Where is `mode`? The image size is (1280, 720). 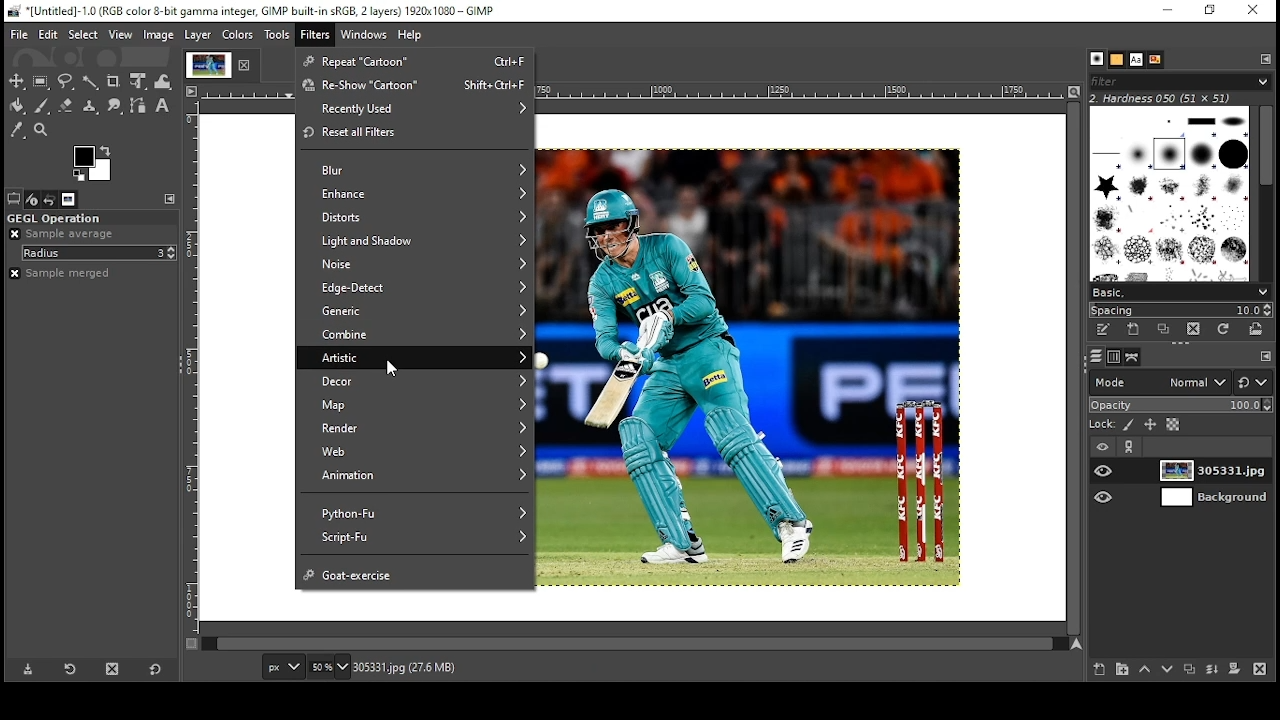 mode is located at coordinates (1161, 382).